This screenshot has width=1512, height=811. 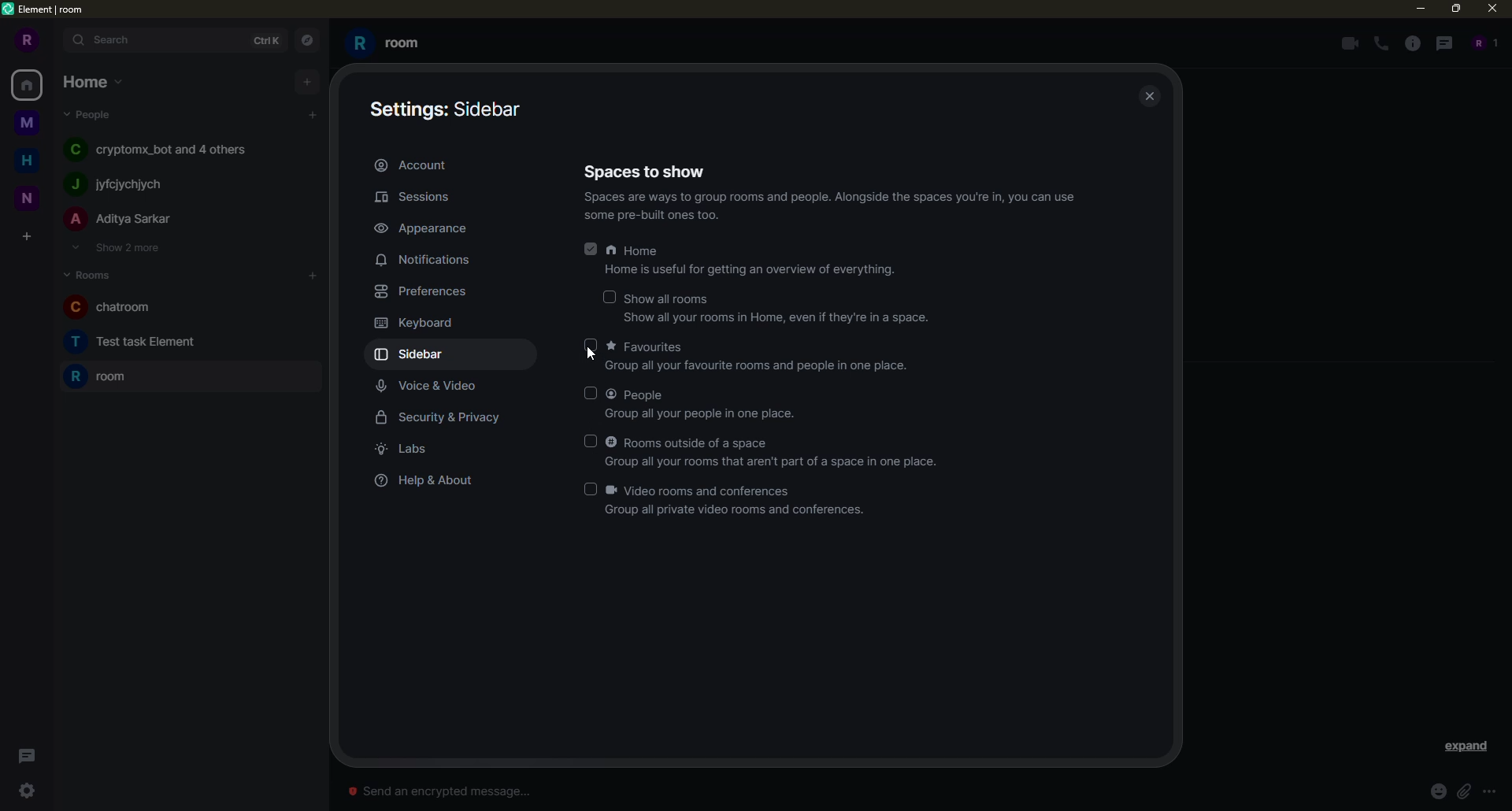 What do you see at coordinates (128, 341) in the screenshot?
I see `T Test task Element` at bounding box center [128, 341].